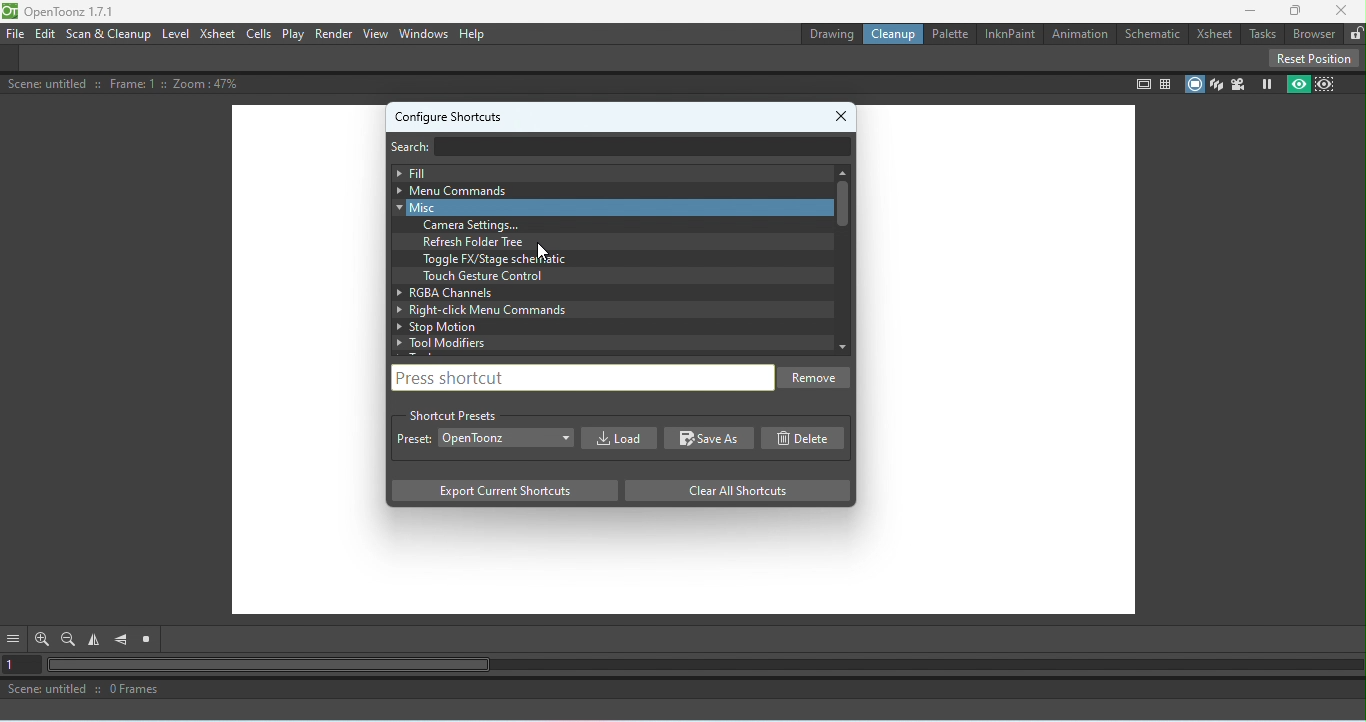  Describe the element at coordinates (333, 35) in the screenshot. I see `Render` at that location.